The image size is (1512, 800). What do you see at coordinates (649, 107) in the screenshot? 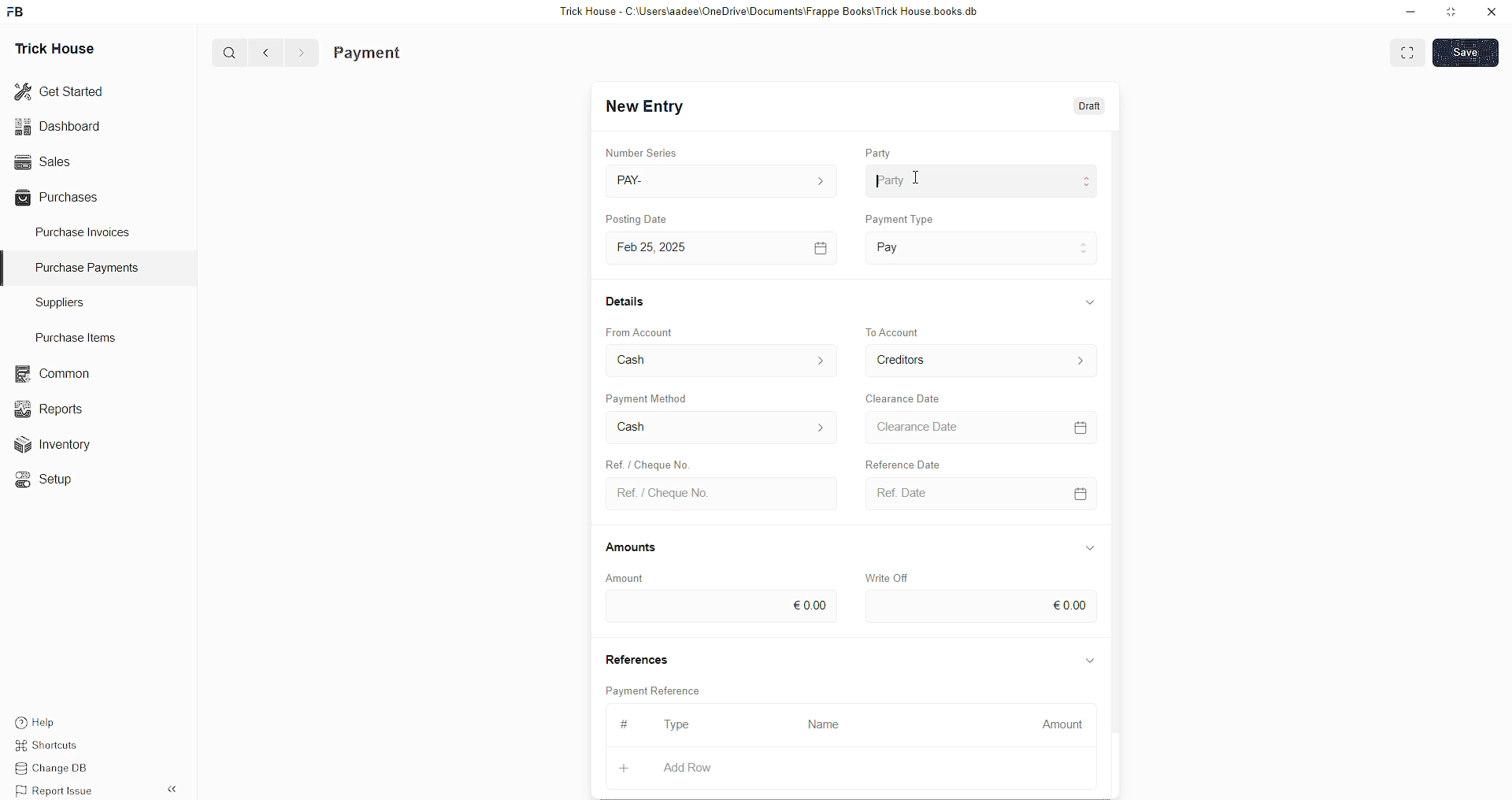
I see `New Entry` at bounding box center [649, 107].